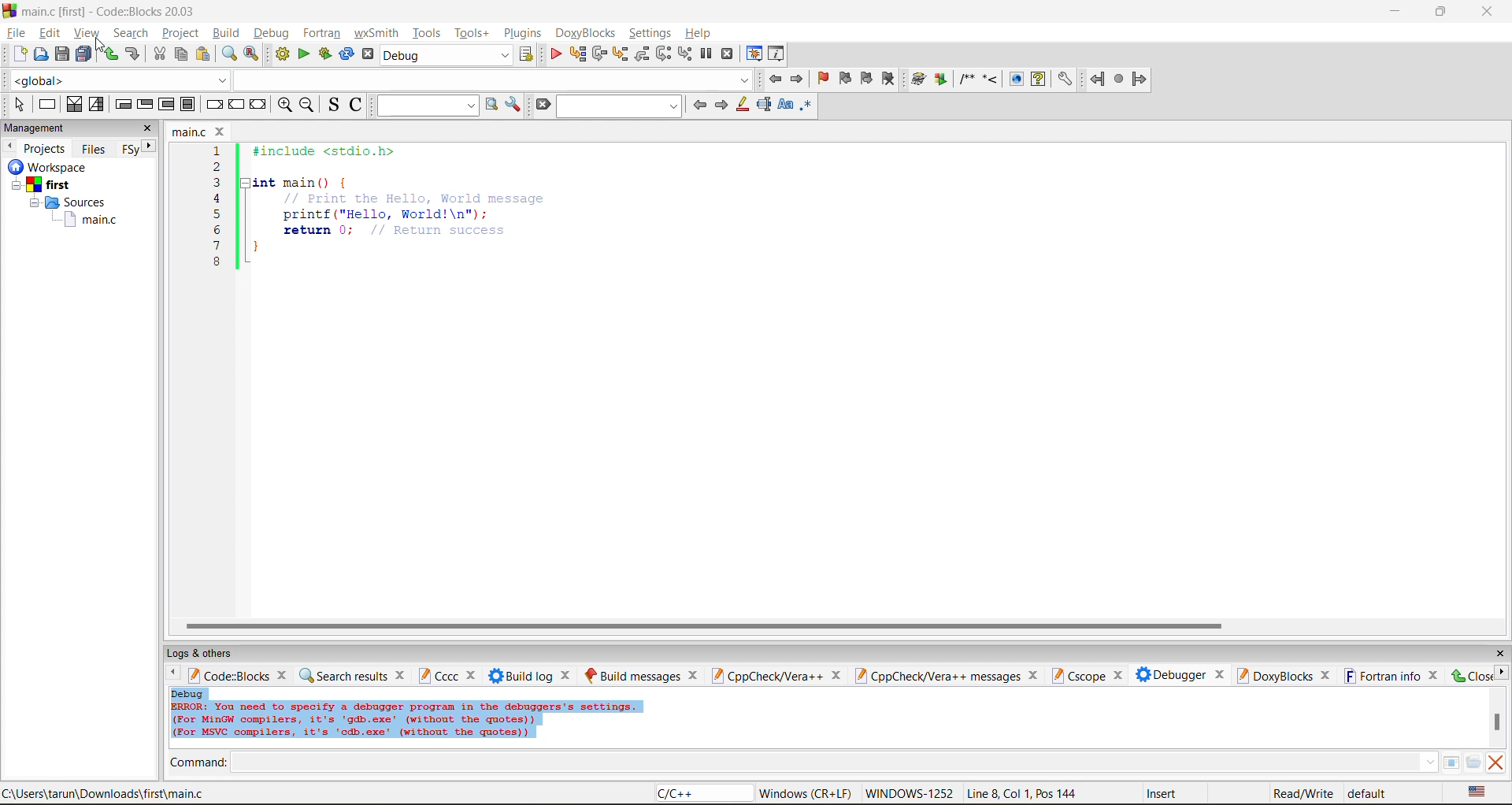 This screenshot has height=805, width=1512. I want to click on match case, so click(784, 106).